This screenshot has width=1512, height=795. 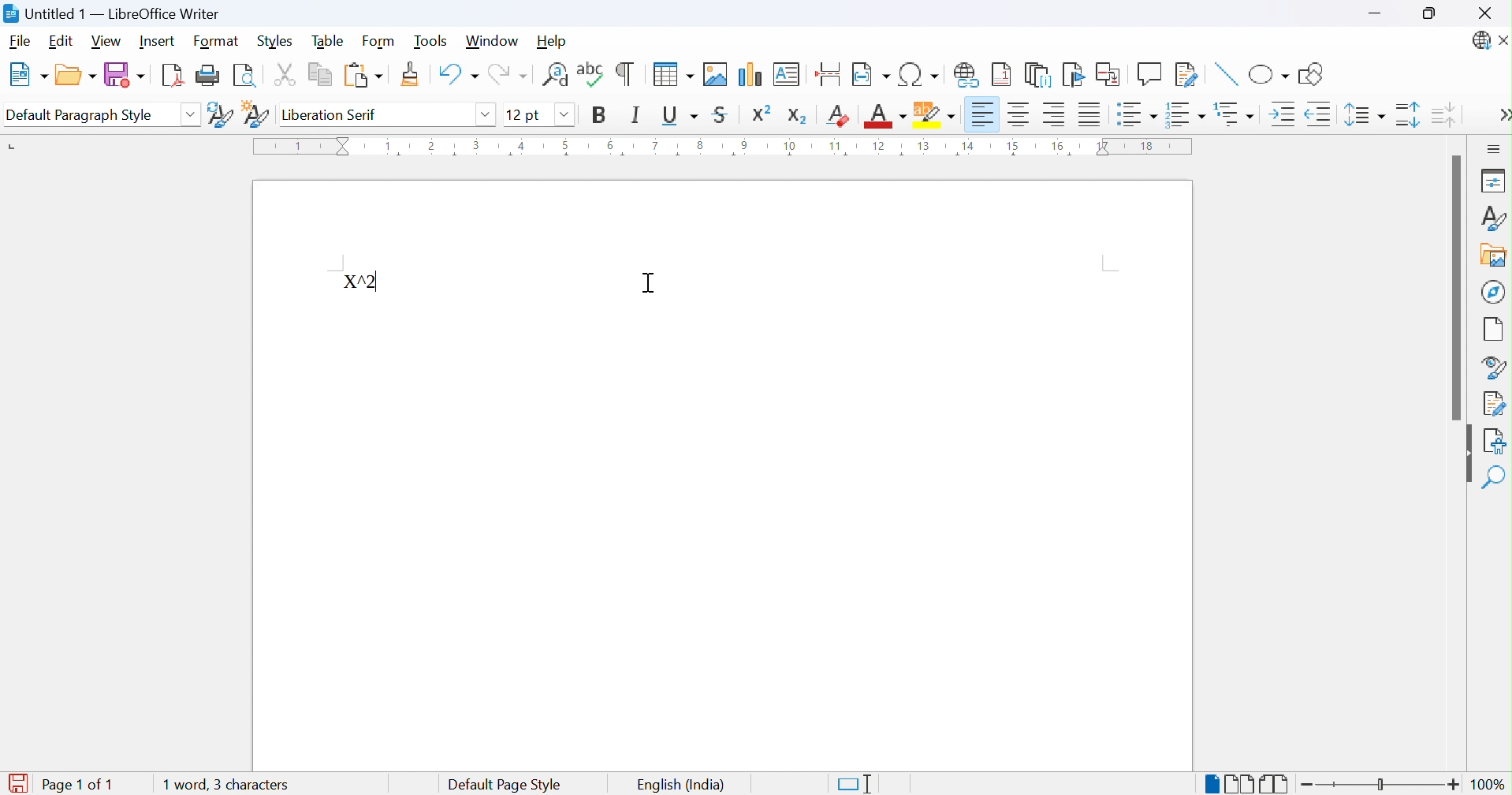 I want to click on Zoom out, so click(x=1307, y=788).